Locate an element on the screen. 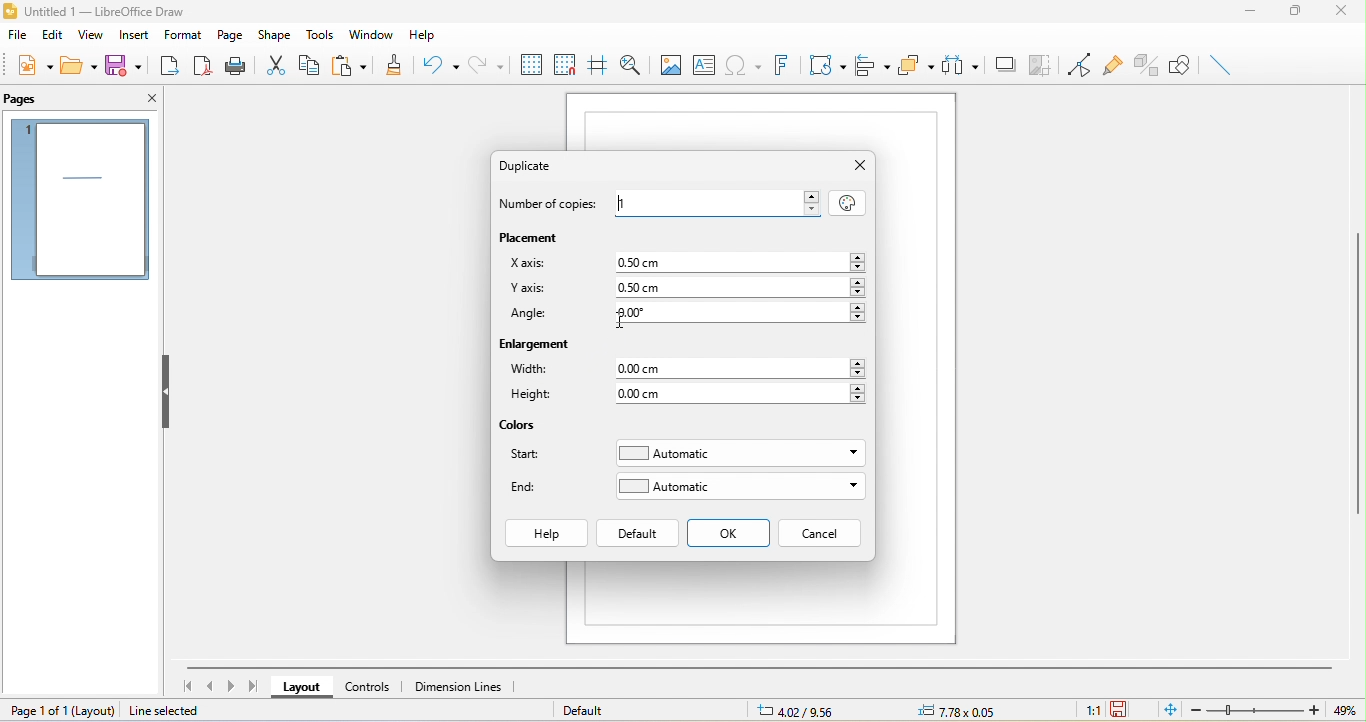 This screenshot has height=722, width=1366. paste is located at coordinates (355, 64).